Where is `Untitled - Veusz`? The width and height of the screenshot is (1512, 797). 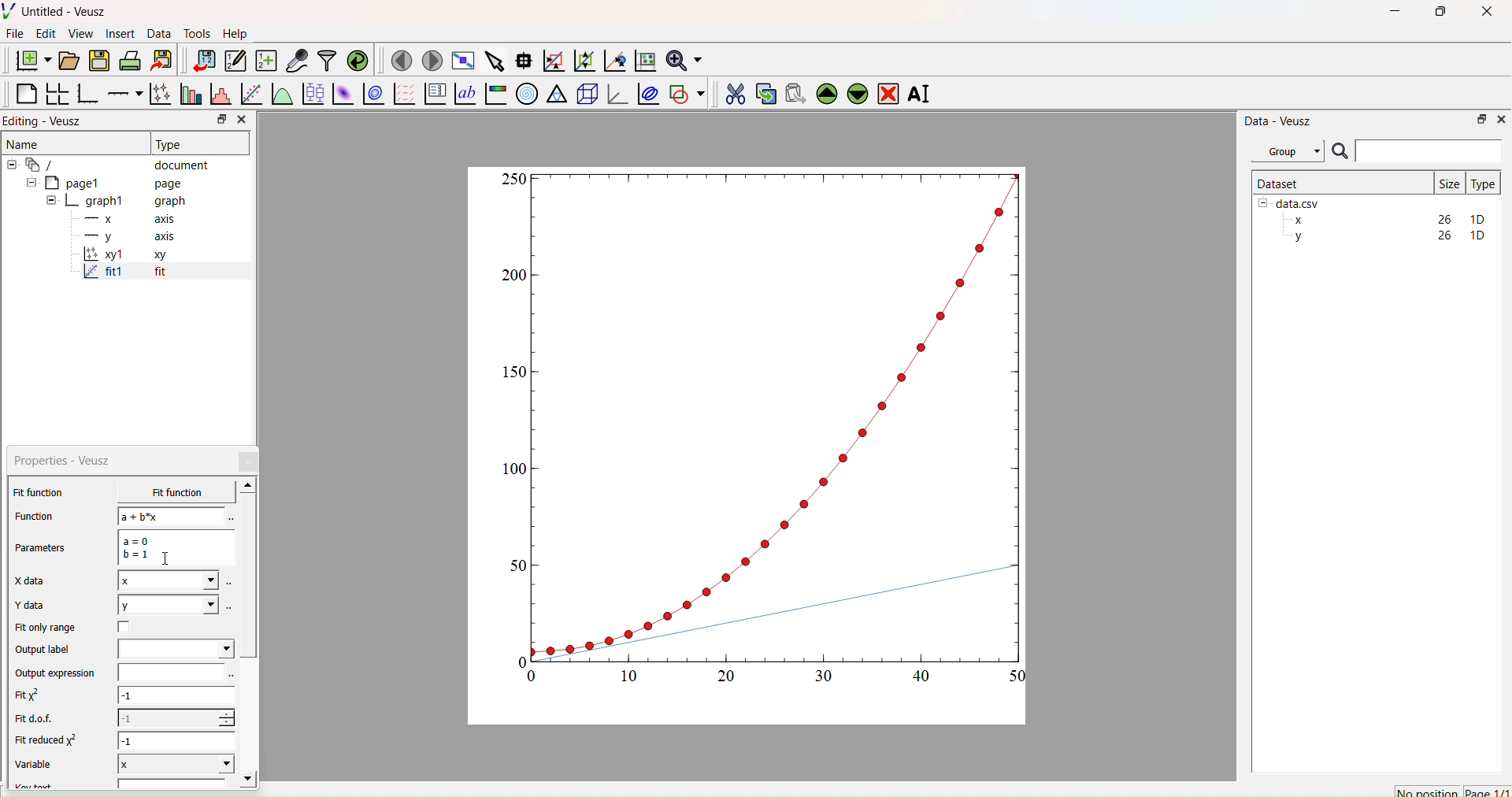
Untitled - Veusz is located at coordinates (57, 11).